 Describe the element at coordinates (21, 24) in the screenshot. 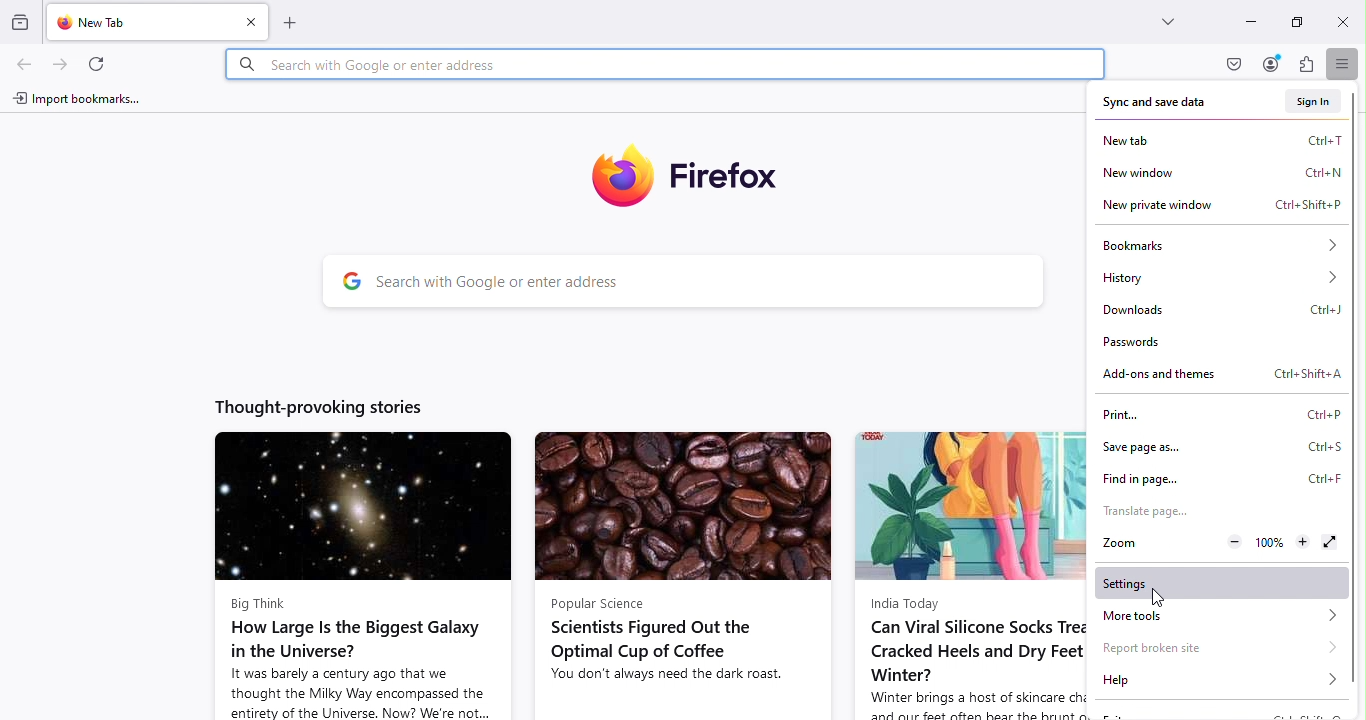

I see `View recent browsing across windows and devices` at that location.